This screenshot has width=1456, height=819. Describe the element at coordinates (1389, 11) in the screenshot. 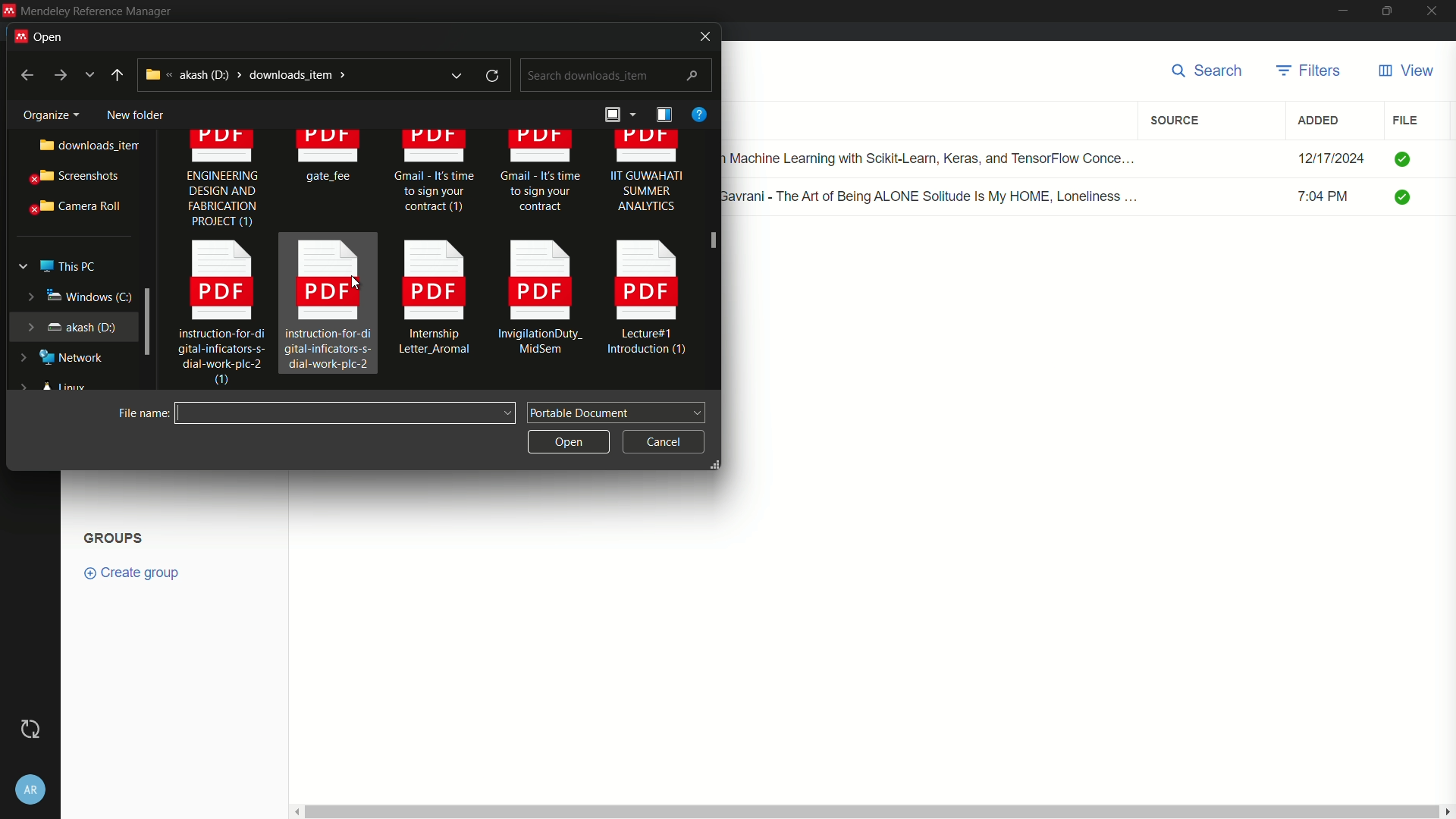

I see `maximize` at that location.